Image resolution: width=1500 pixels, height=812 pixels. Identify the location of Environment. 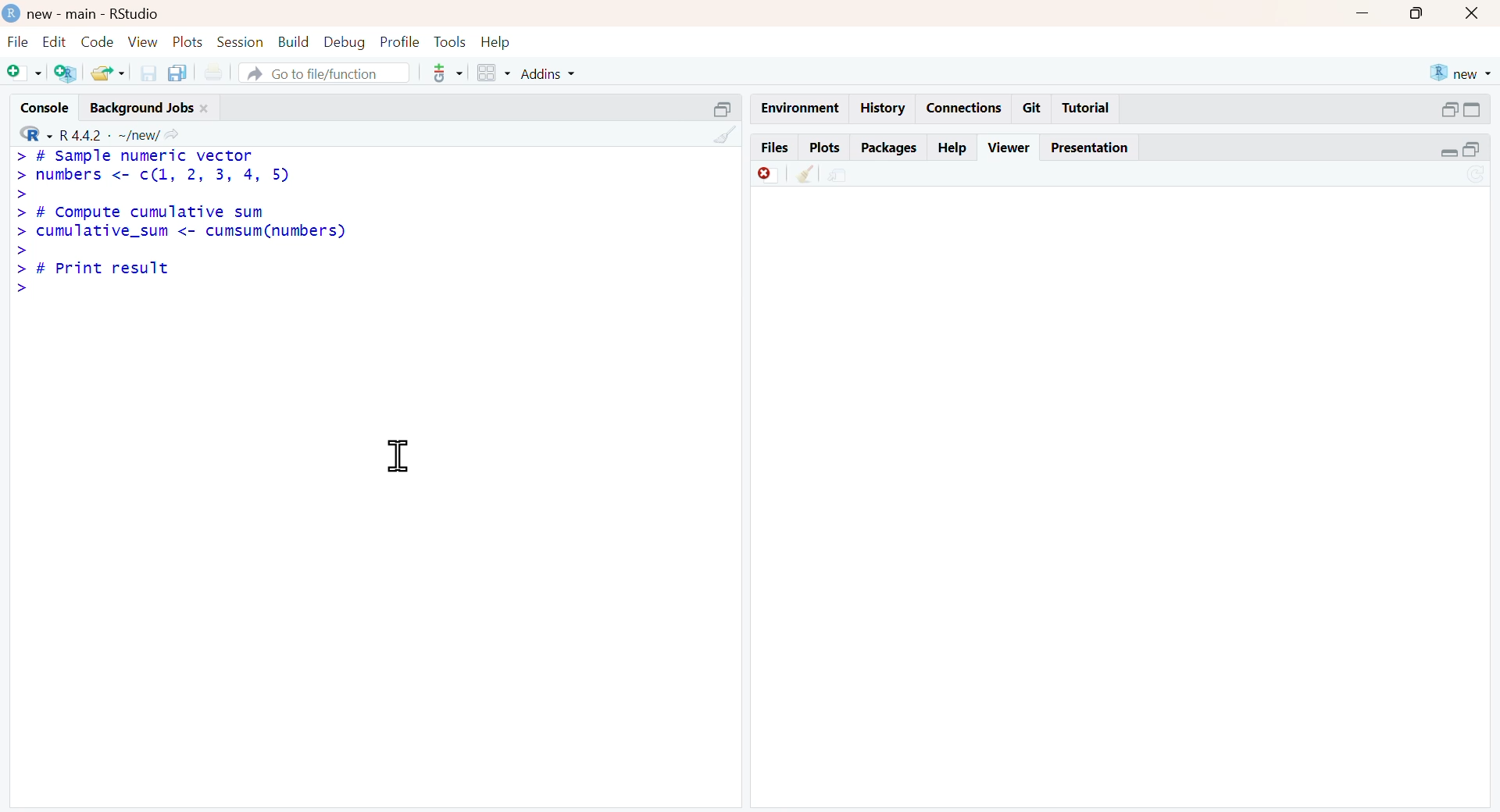
(800, 109).